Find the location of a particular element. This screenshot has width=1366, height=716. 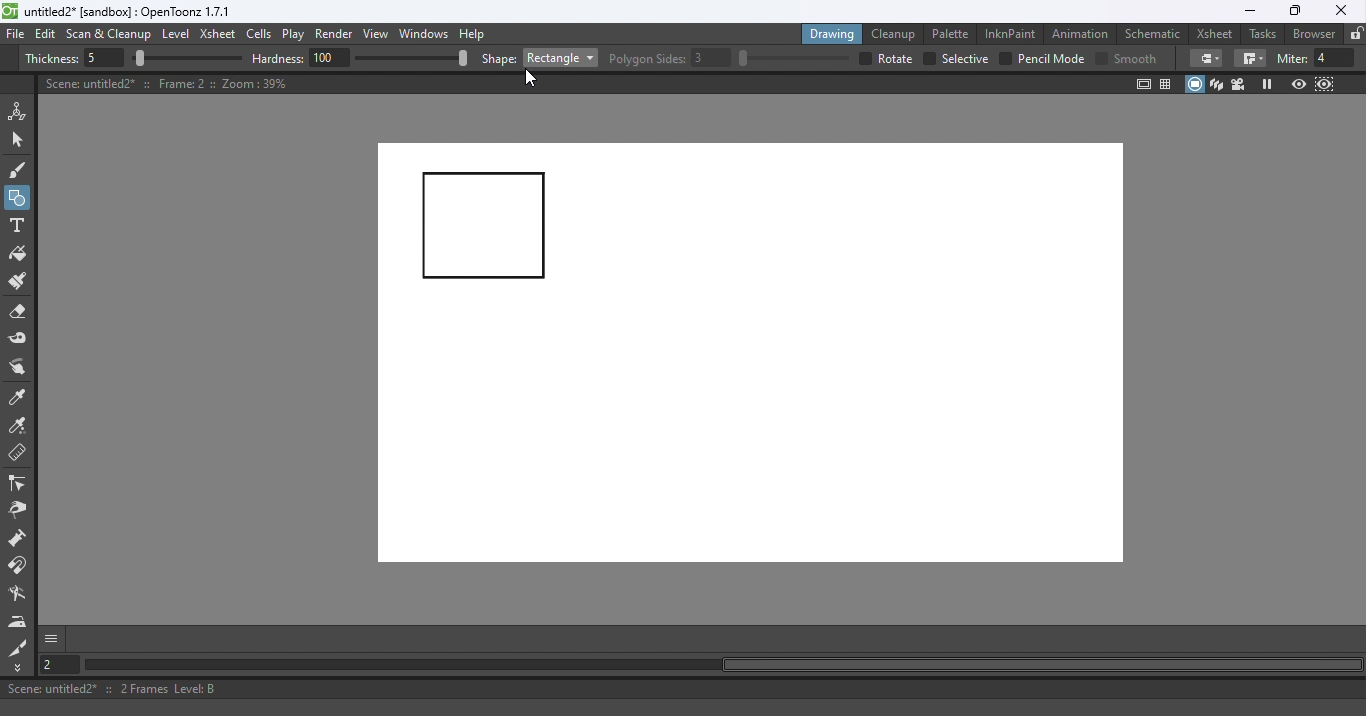

Thickness is located at coordinates (51, 59).